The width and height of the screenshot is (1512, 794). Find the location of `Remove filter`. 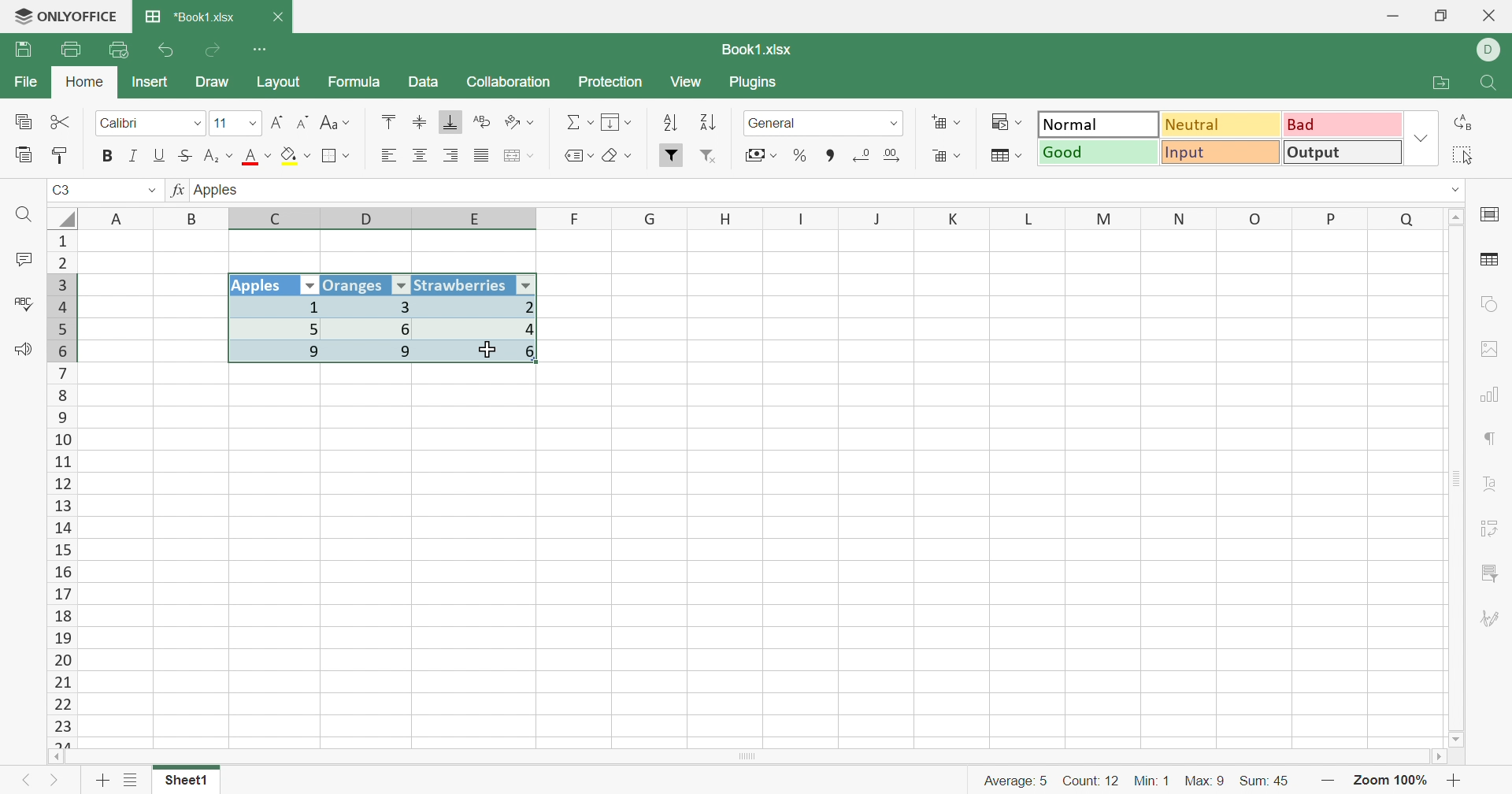

Remove filter is located at coordinates (715, 158).